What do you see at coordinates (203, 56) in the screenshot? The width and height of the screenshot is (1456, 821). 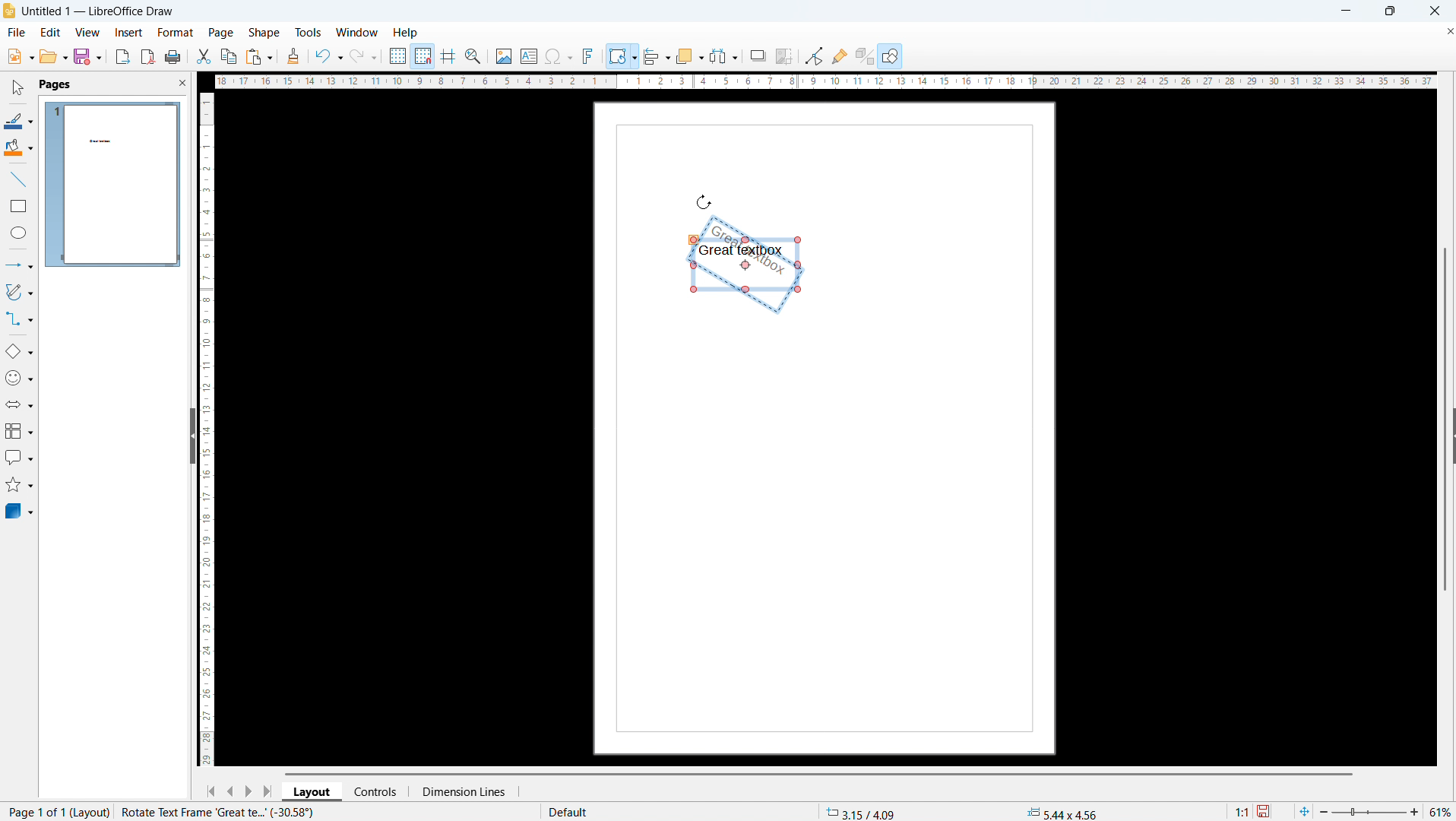 I see `cut` at bounding box center [203, 56].